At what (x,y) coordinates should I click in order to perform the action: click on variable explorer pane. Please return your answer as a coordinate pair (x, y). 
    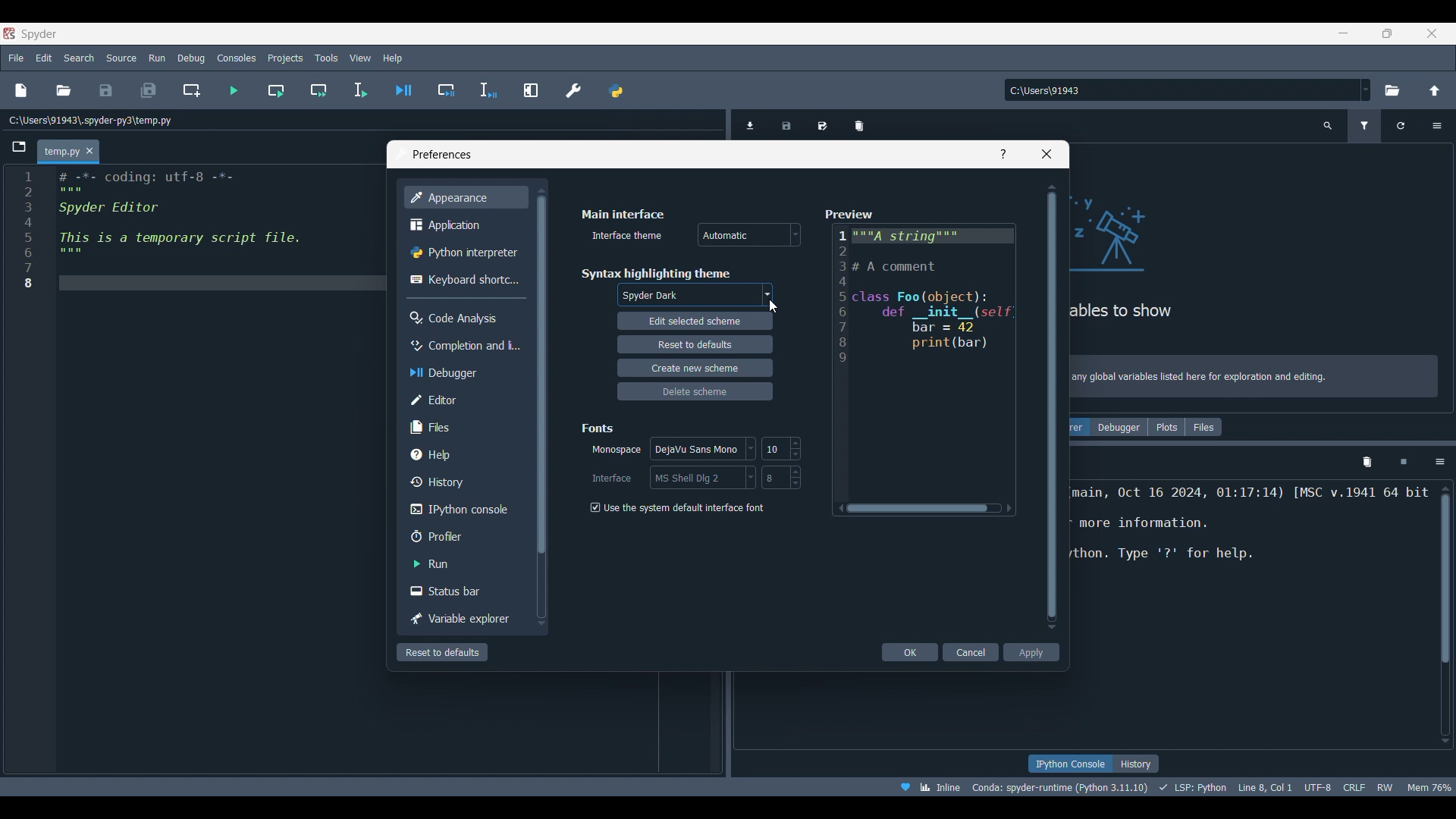
    Looking at the image, I should click on (1198, 261).